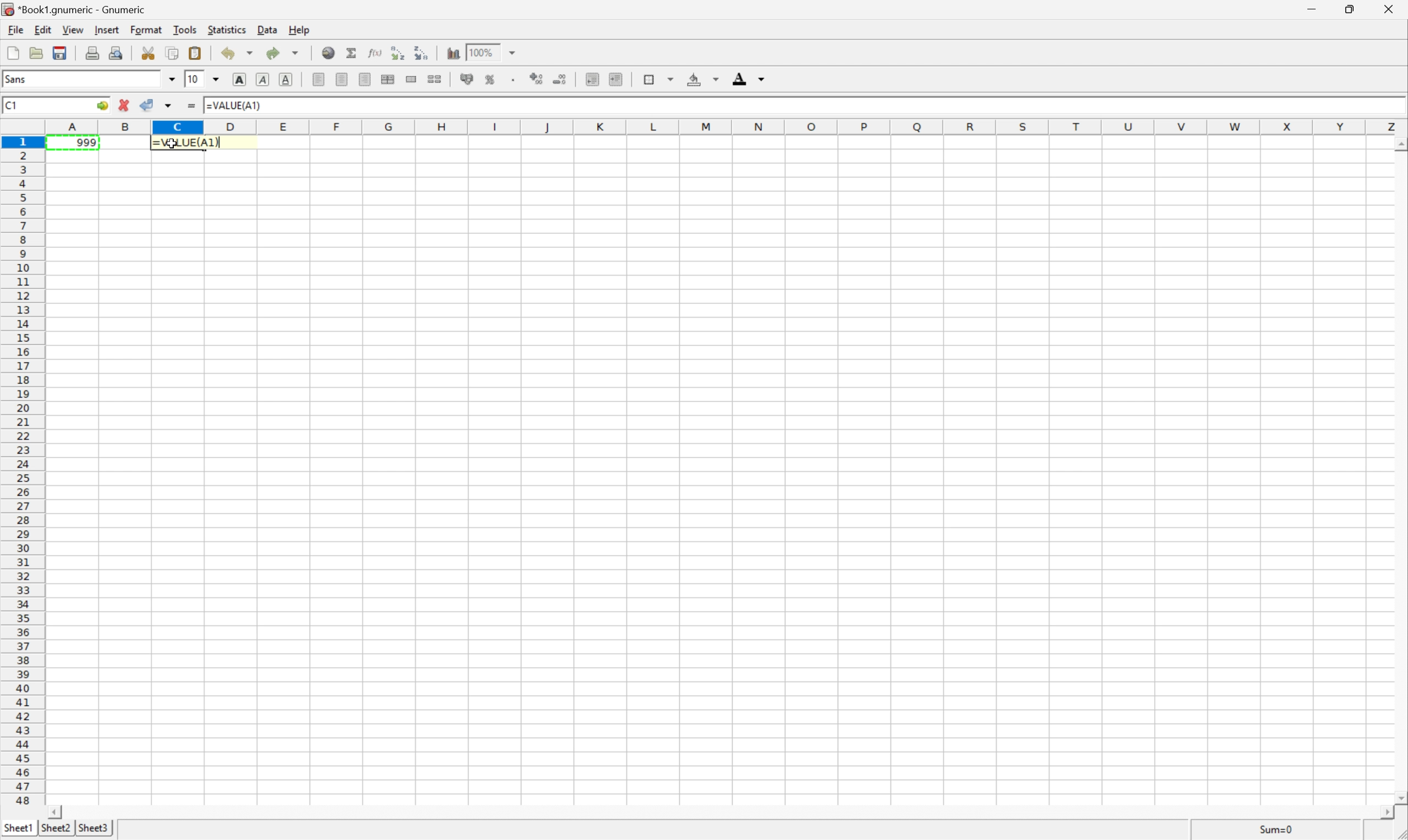 The image size is (1408, 840). I want to click on scroll left, so click(57, 813).